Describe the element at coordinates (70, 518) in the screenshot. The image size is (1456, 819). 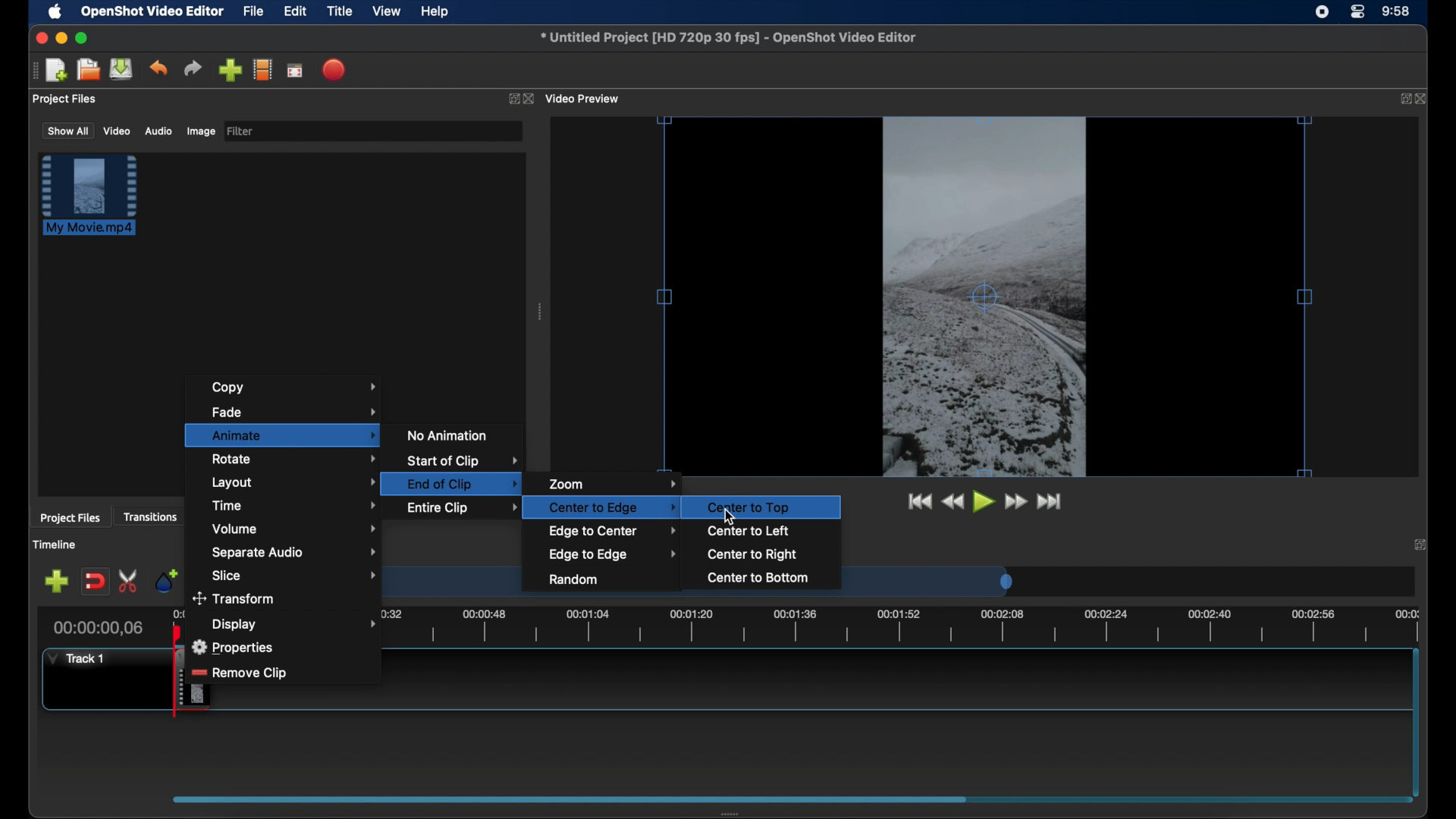
I see `project files` at that location.